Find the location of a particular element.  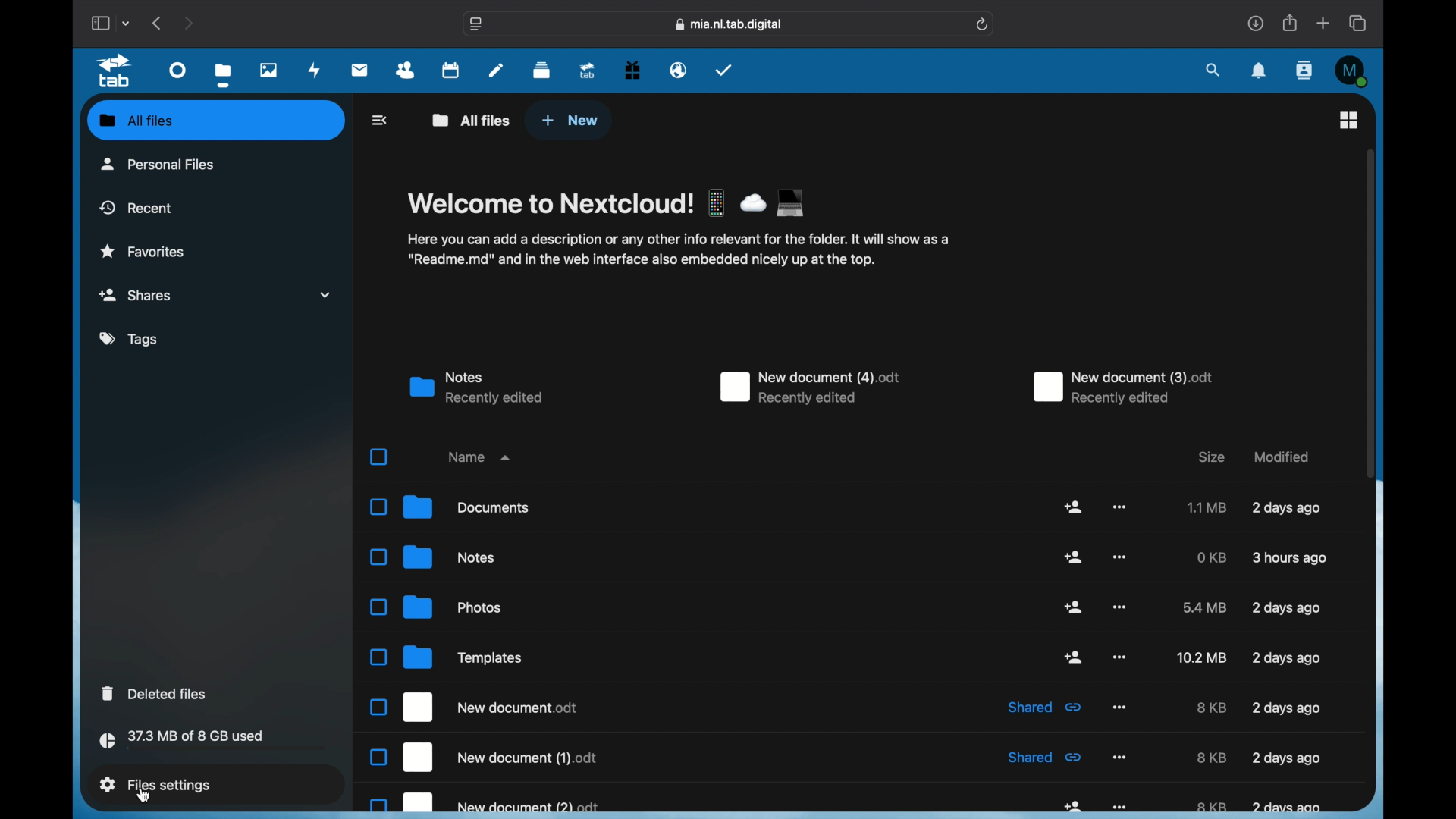

web address is located at coordinates (729, 24).